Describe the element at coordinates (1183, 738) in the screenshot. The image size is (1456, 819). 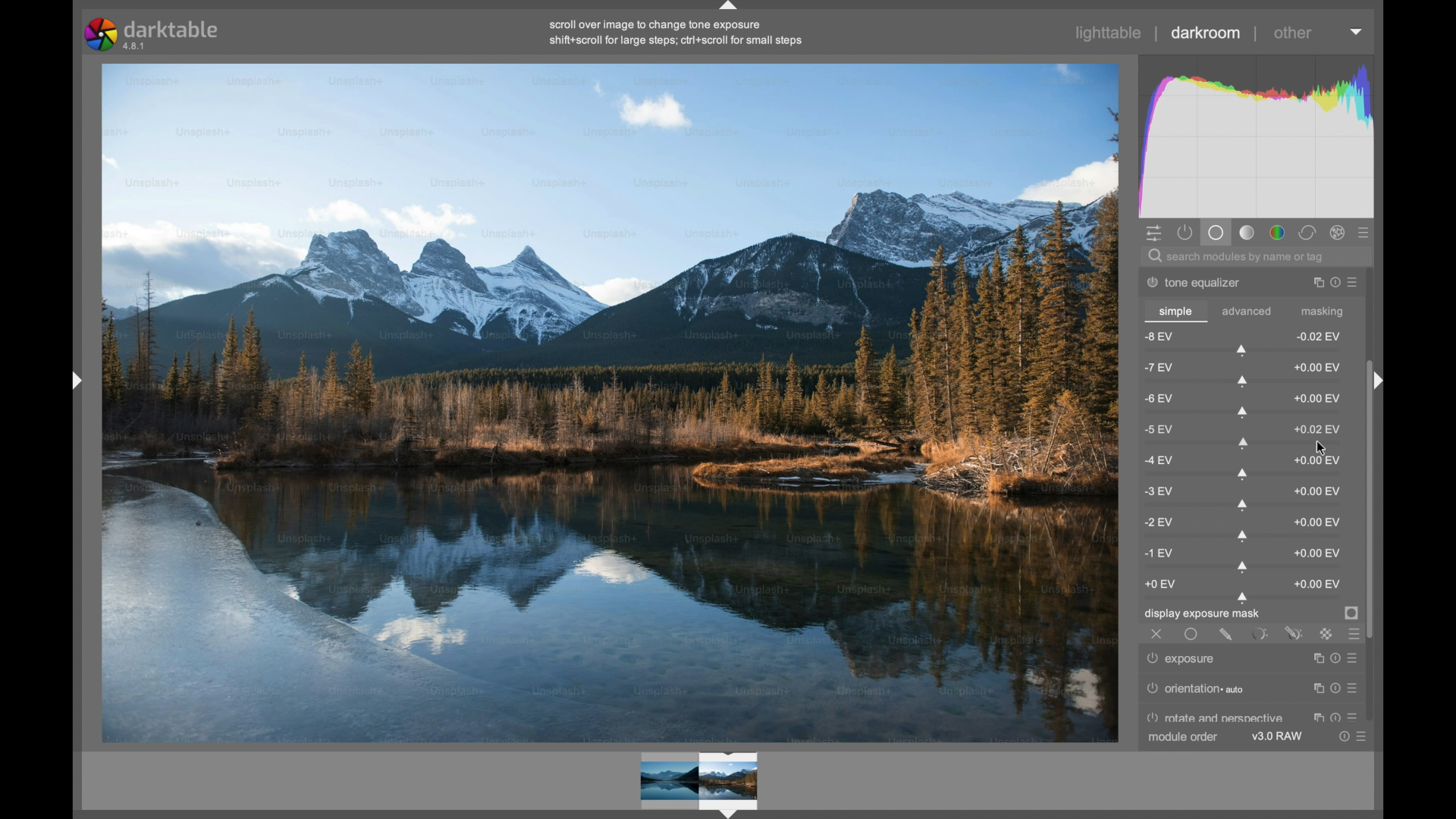
I see `module order` at that location.